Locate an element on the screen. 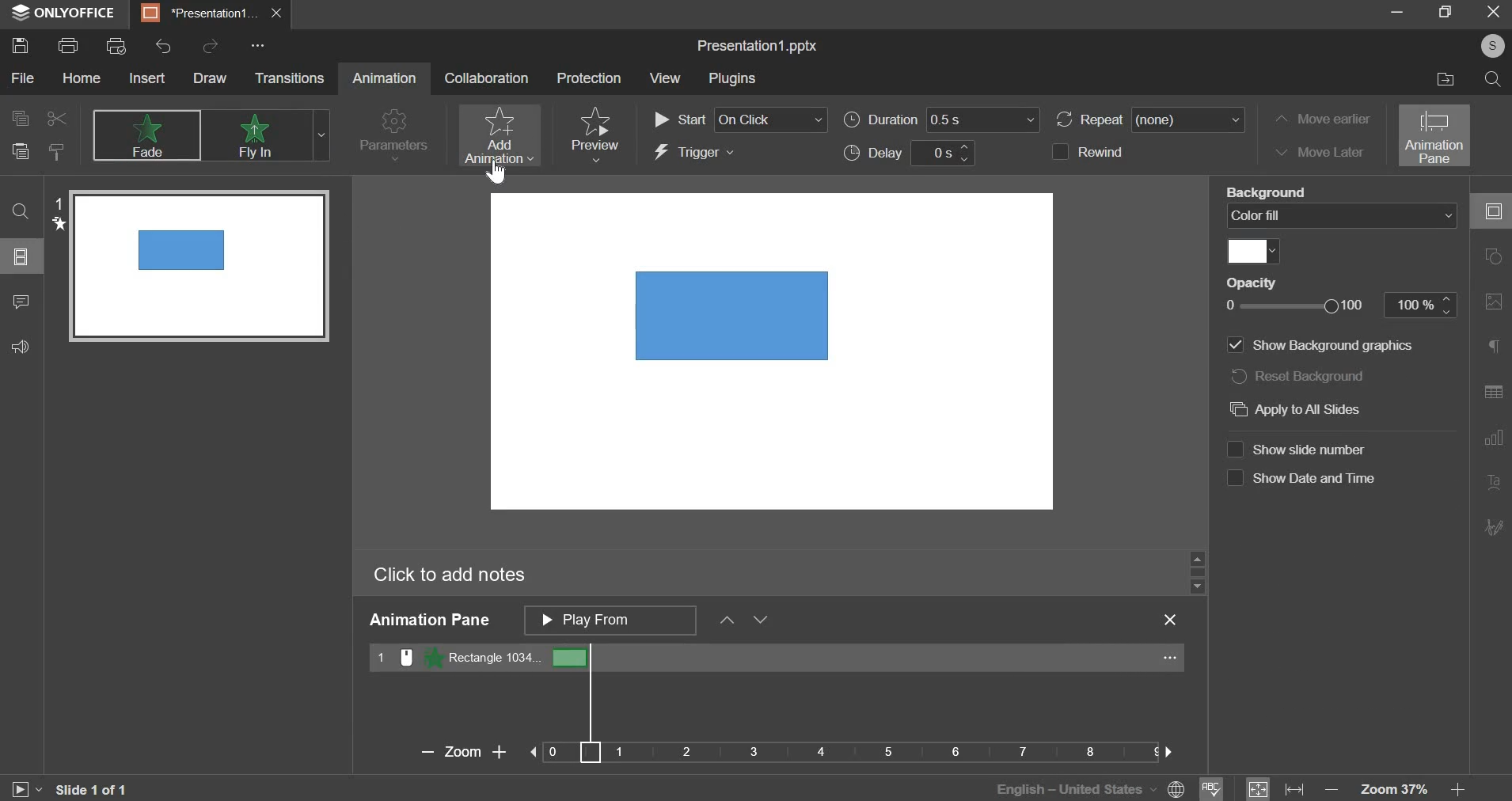 This screenshot has height=801, width=1512. onlyoffice is located at coordinates (63, 13).